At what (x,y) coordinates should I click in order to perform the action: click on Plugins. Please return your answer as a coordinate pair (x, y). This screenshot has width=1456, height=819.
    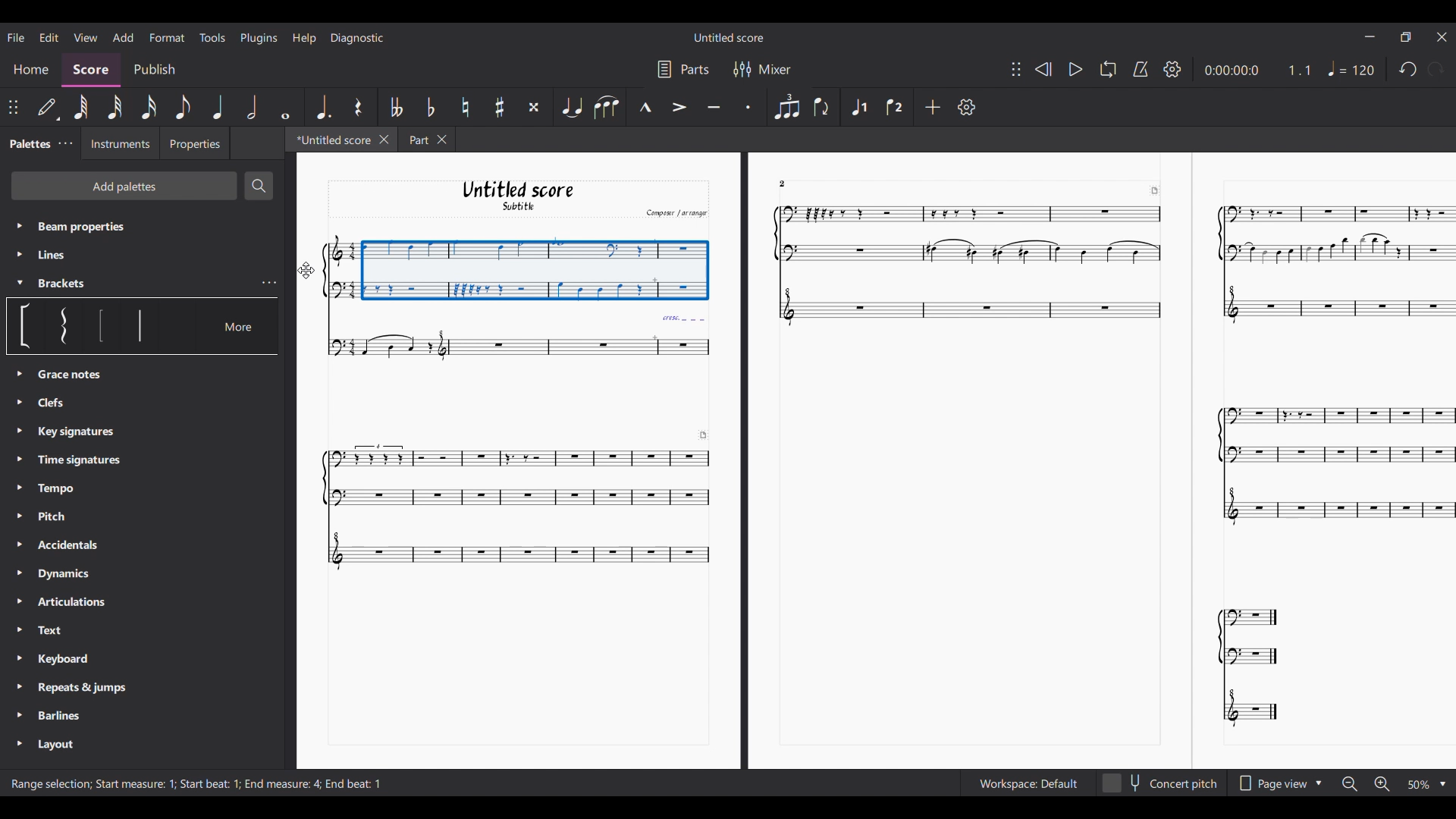
    Looking at the image, I should click on (259, 38).